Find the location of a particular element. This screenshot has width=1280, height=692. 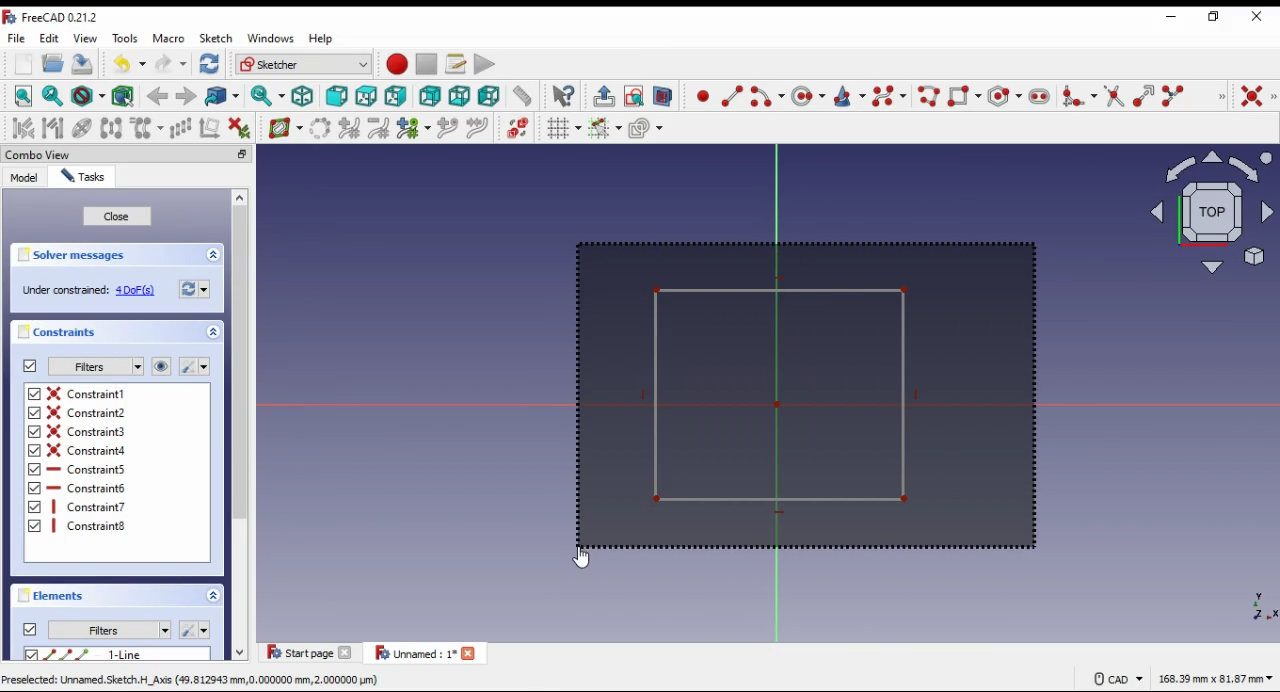

solver messages is located at coordinates (77, 255).